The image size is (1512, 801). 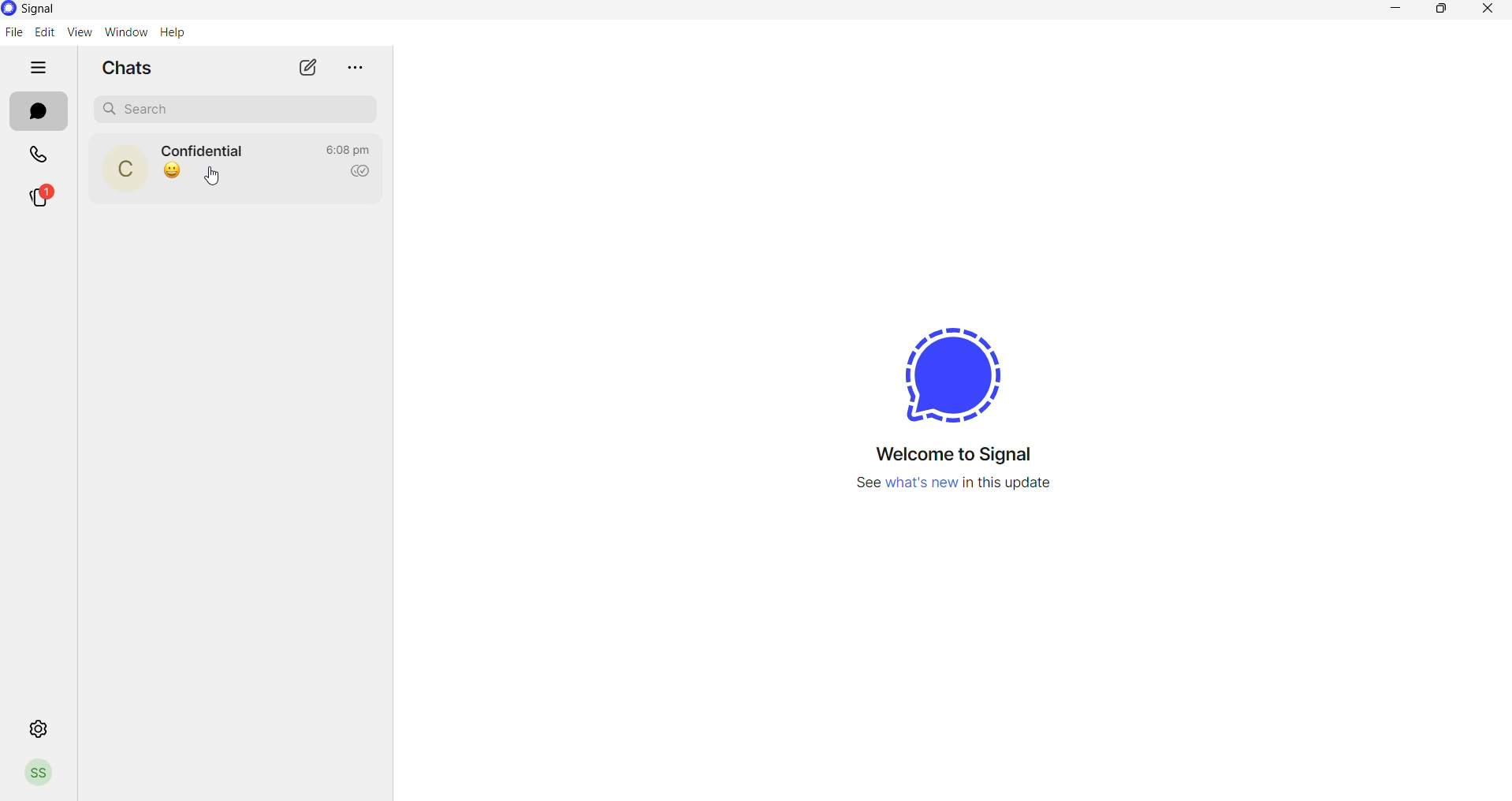 I want to click on cursor, so click(x=214, y=174).